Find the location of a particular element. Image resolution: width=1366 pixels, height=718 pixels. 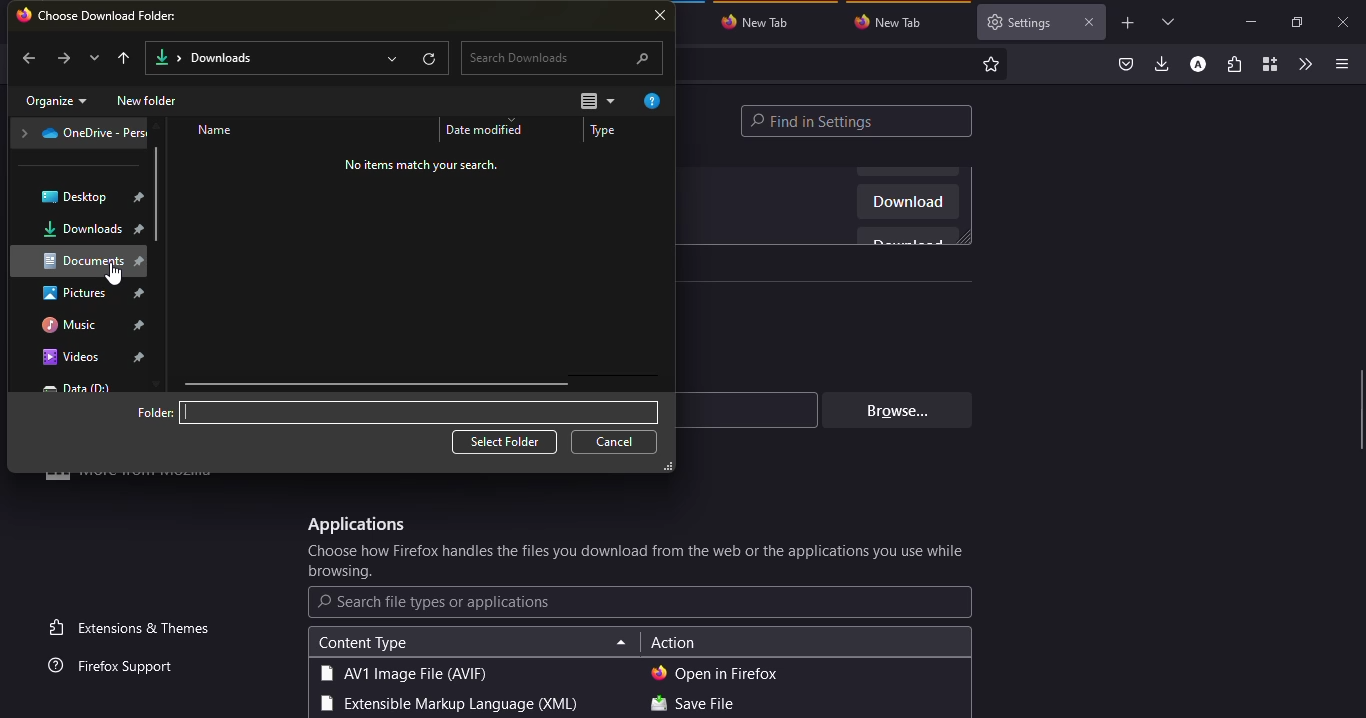

pin is located at coordinates (143, 324).